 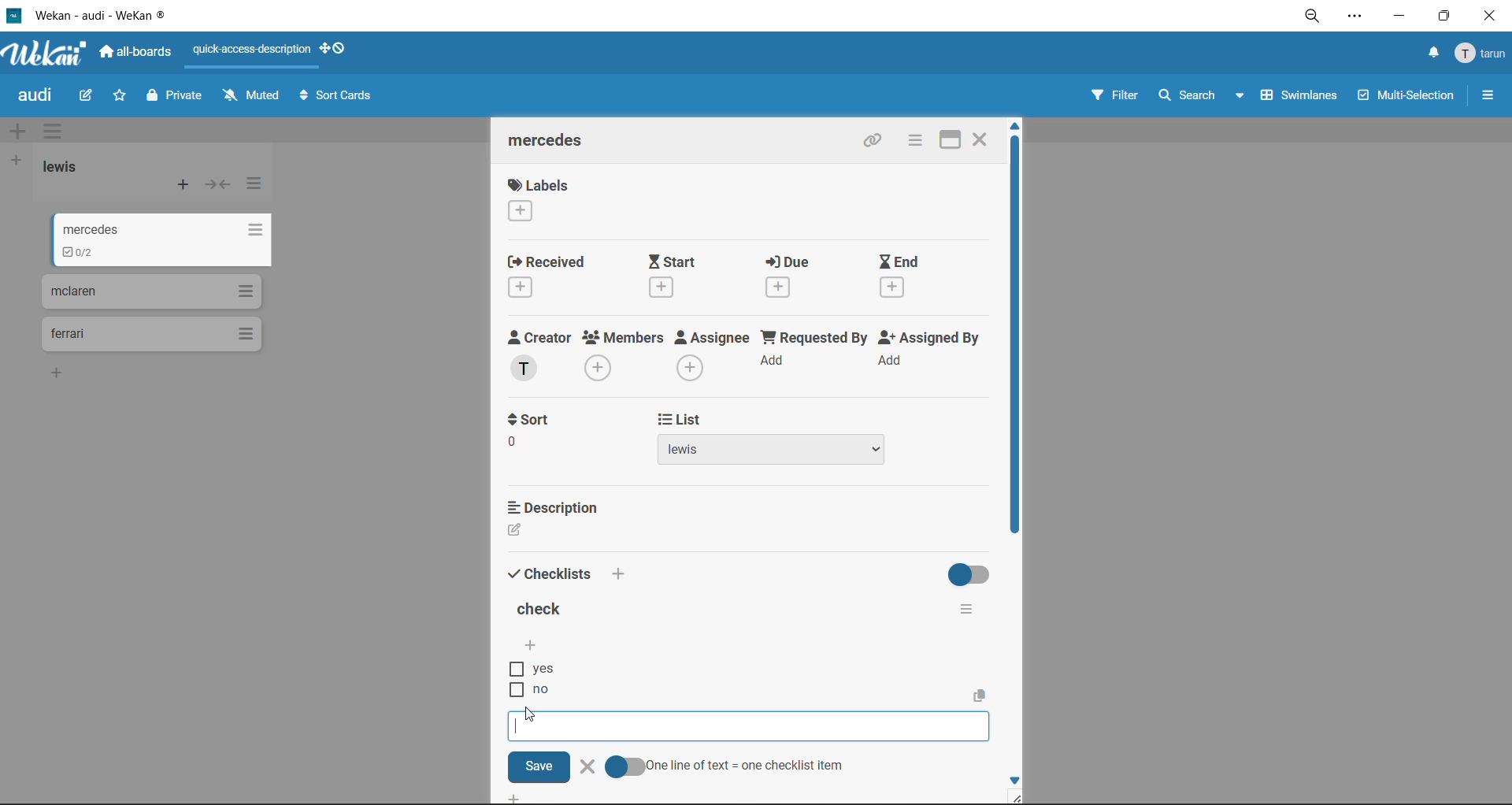 What do you see at coordinates (1406, 98) in the screenshot?
I see `multiselection` at bounding box center [1406, 98].